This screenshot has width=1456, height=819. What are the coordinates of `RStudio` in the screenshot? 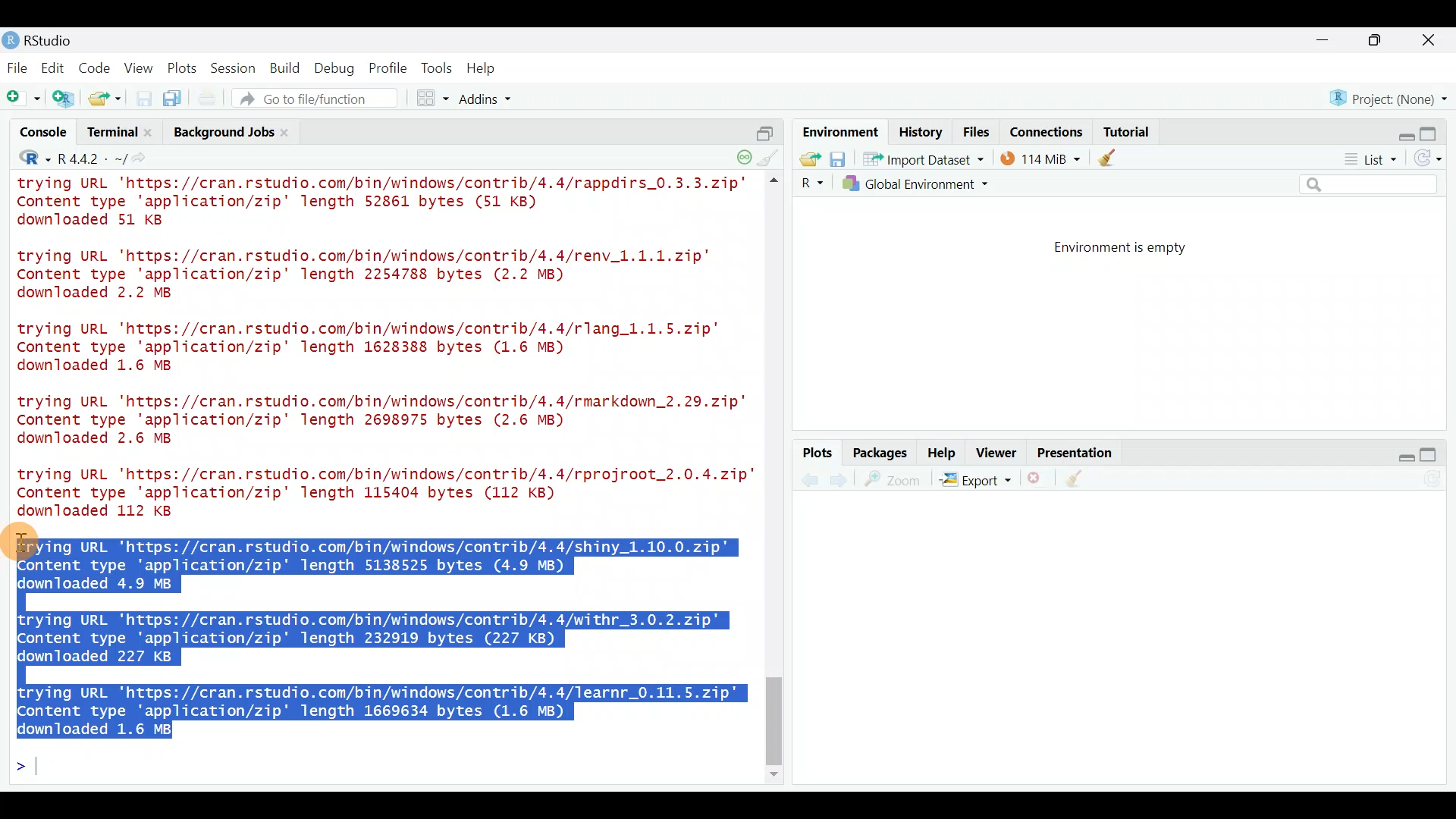 It's located at (45, 40).